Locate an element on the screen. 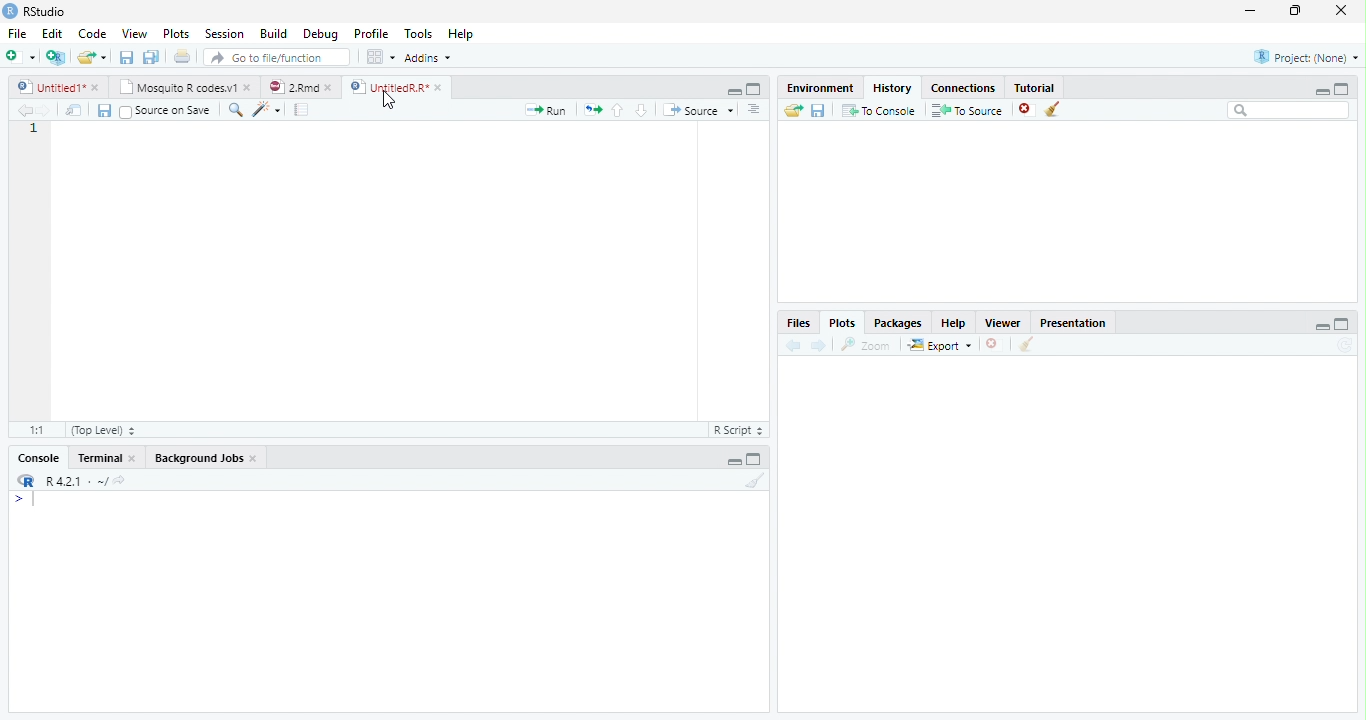 This screenshot has height=720, width=1366. Delete is located at coordinates (992, 344).